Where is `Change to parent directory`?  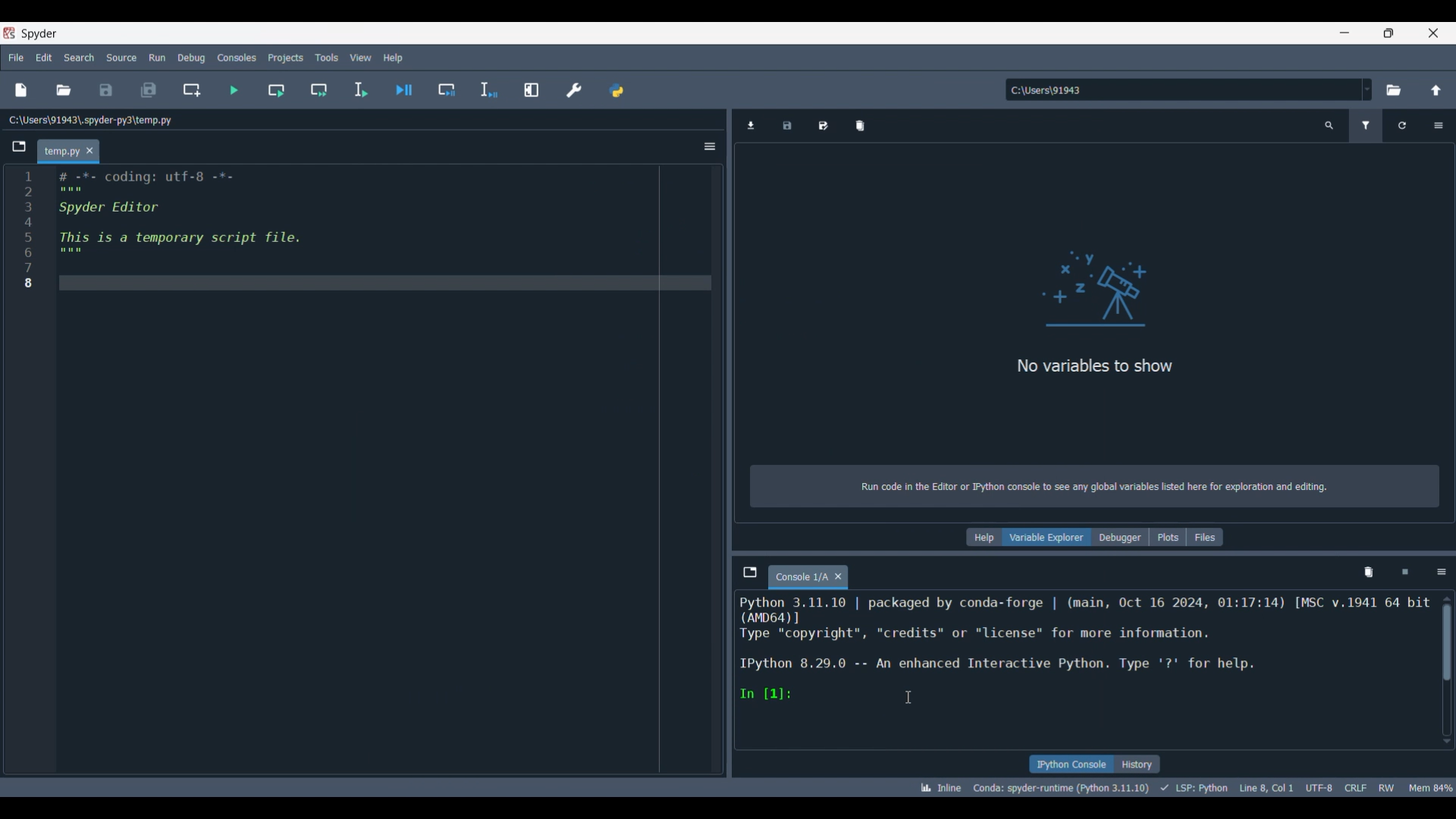
Change to parent directory is located at coordinates (1436, 90).